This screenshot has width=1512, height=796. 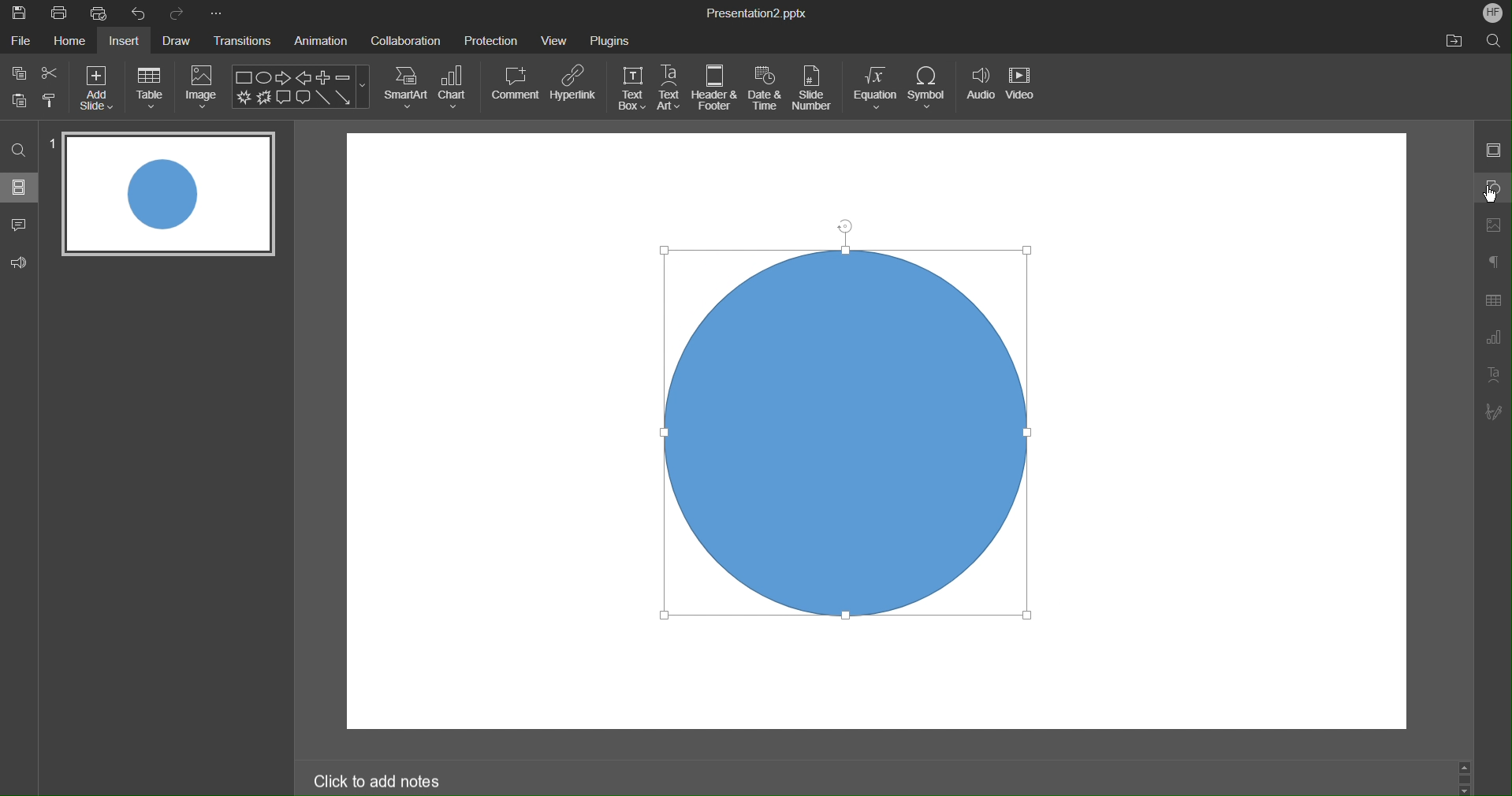 I want to click on Copy, so click(x=17, y=73).